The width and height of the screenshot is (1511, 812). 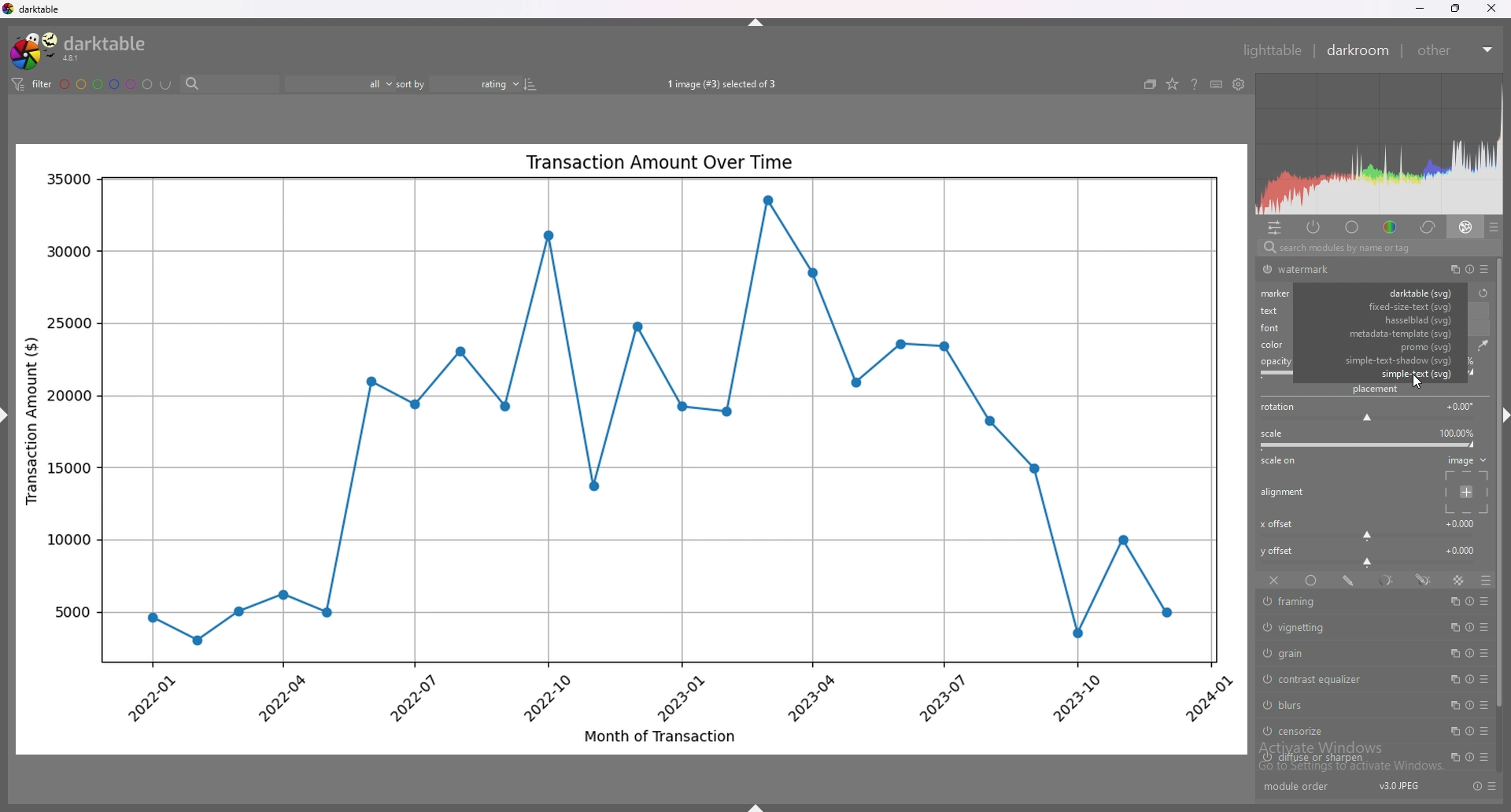 What do you see at coordinates (1485, 733) in the screenshot?
I see `presets` at bounding box center [1485, 733].